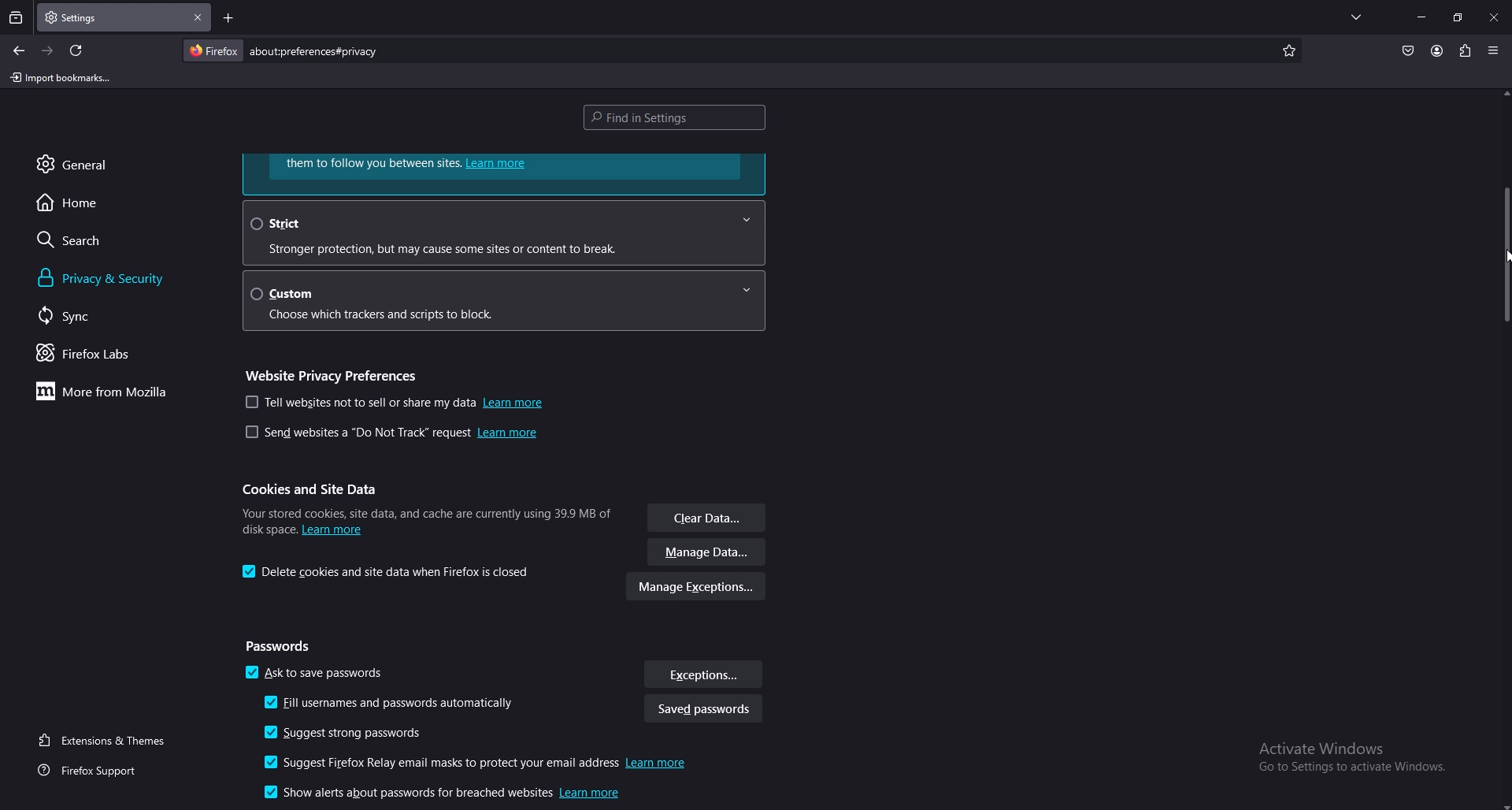 This screenshot has height=810, width=1512. Describe the element at coordinates (697, 589) in the screenshot. I see `manage exceptions` at that location.